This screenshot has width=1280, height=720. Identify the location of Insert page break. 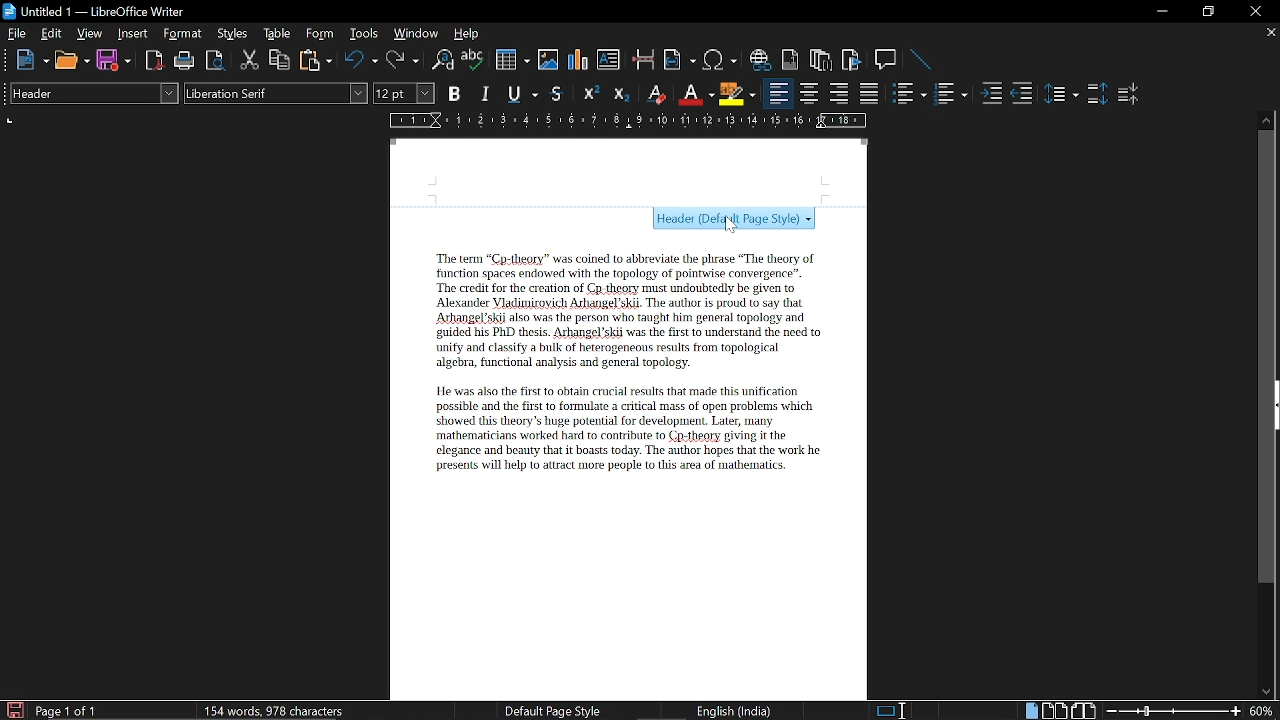
(642, 60).